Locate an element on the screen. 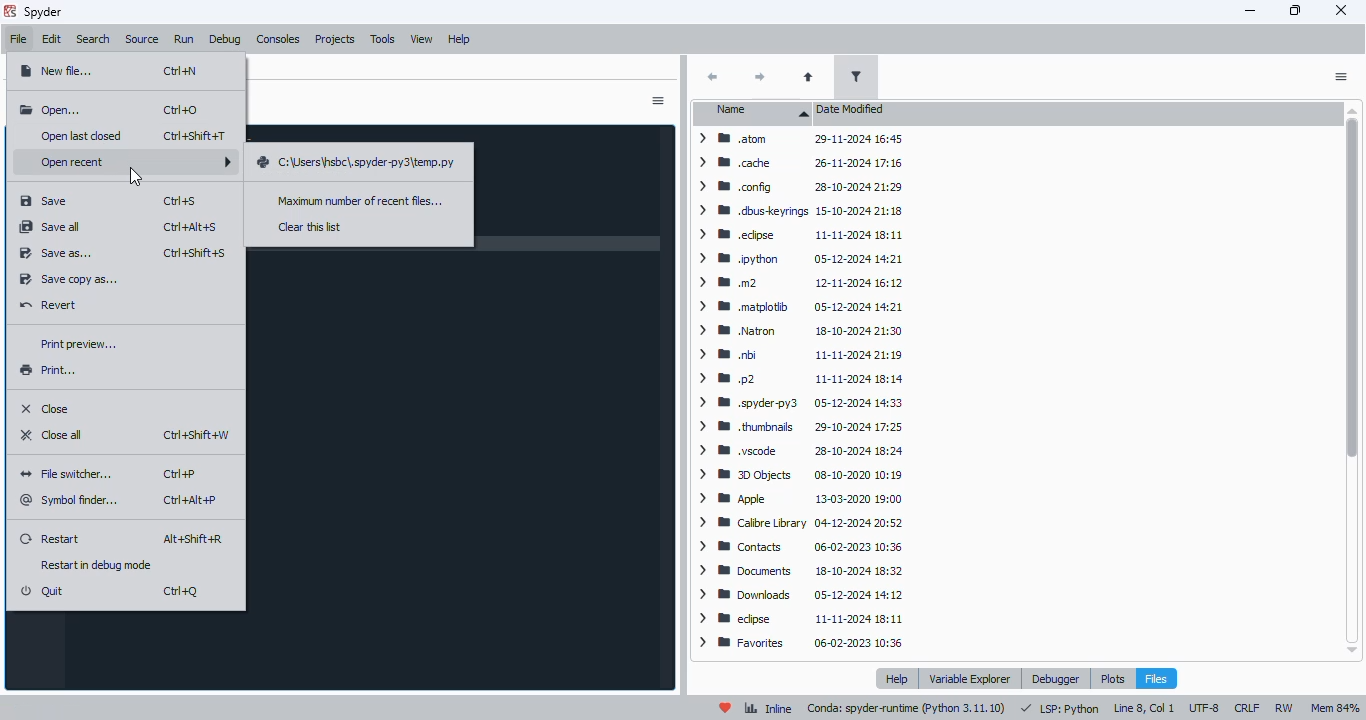 This screenshot has height=720, width=1366. open last closed is located at coordinates (84, 135).